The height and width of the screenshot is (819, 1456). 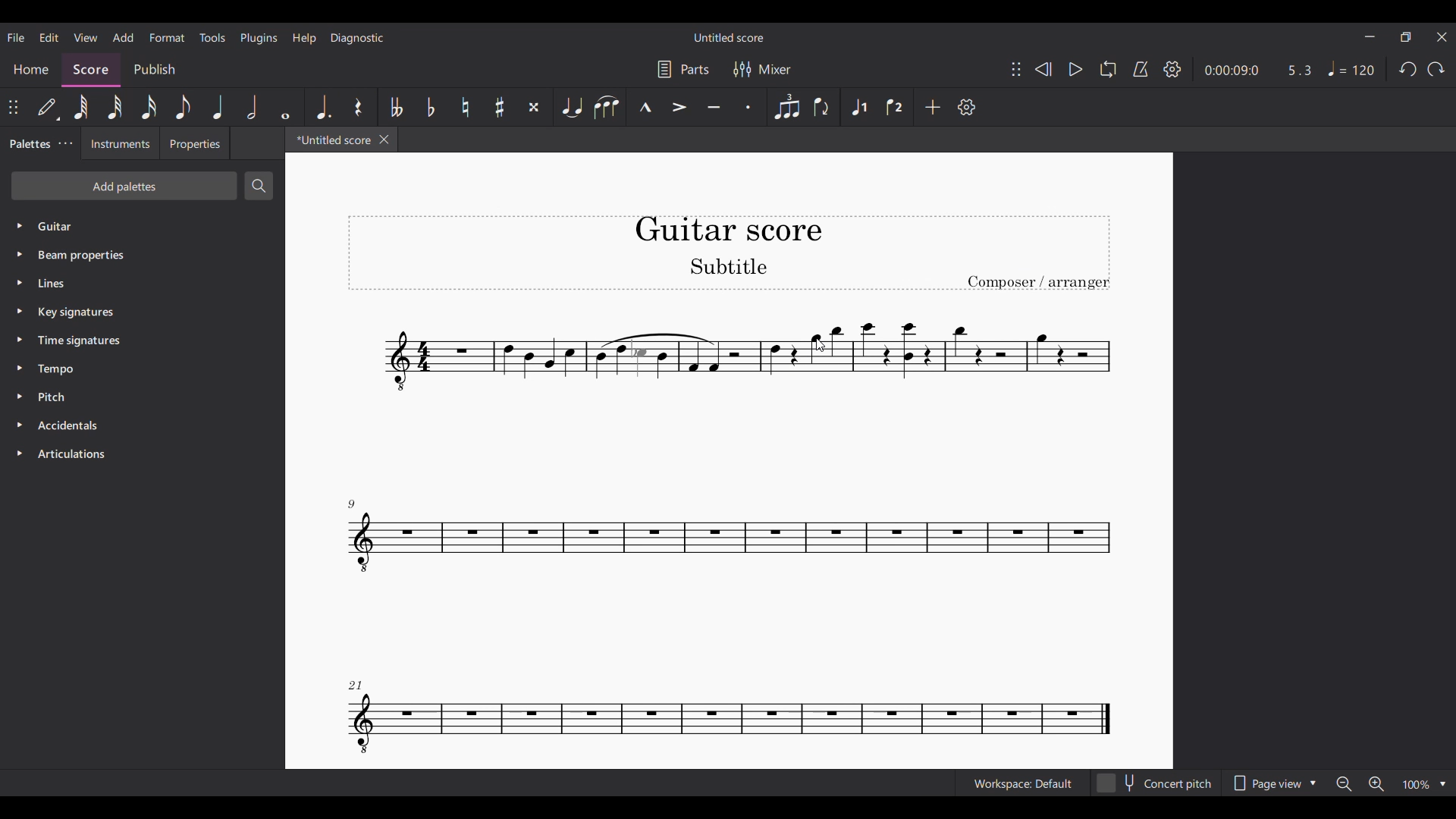 What do you see at coordinates (1108, 69) in the screenshot?
I see `Loop playback` at bounding box center [1108, 69].